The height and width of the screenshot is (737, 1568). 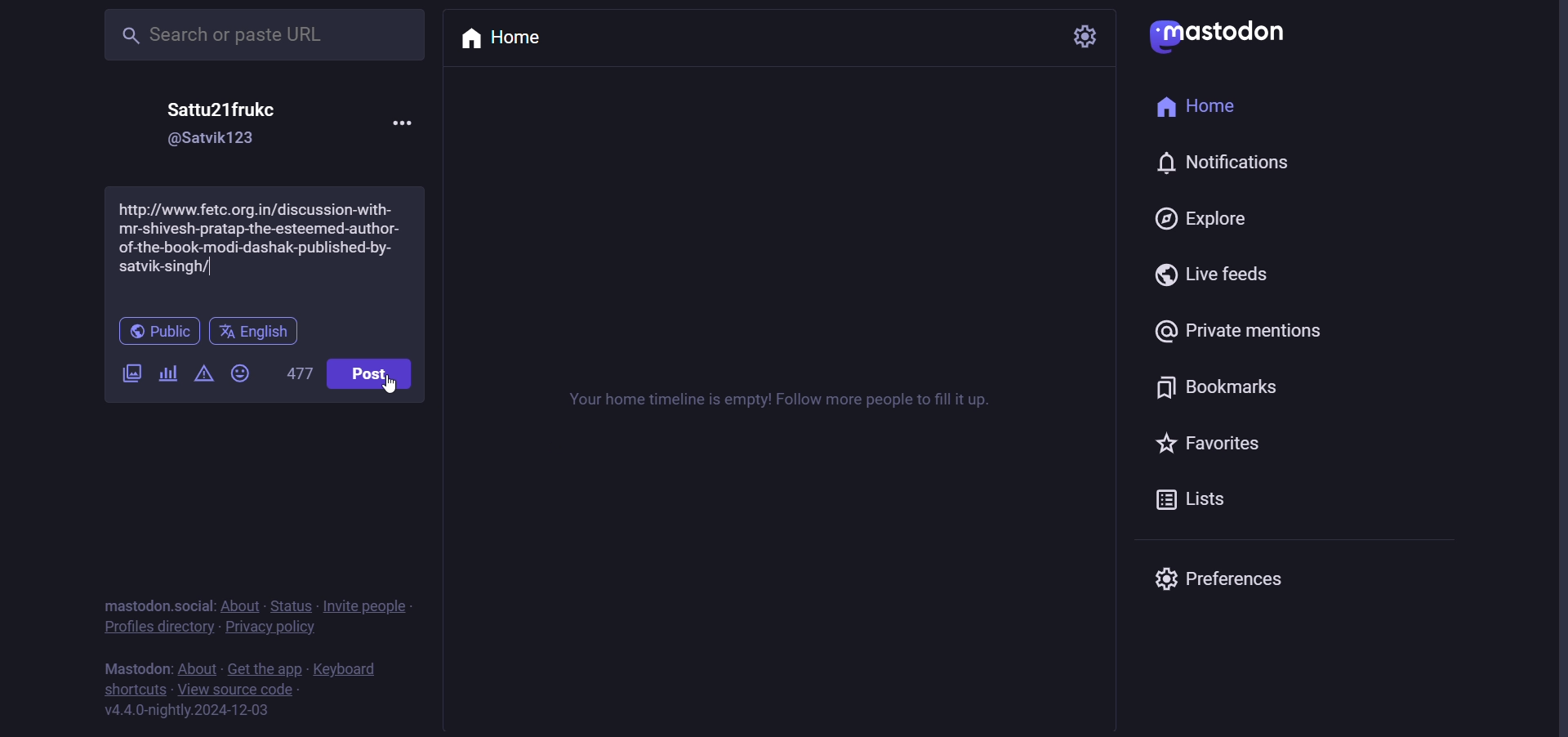 I want to click on live feed, so click(x=1214, y=273).